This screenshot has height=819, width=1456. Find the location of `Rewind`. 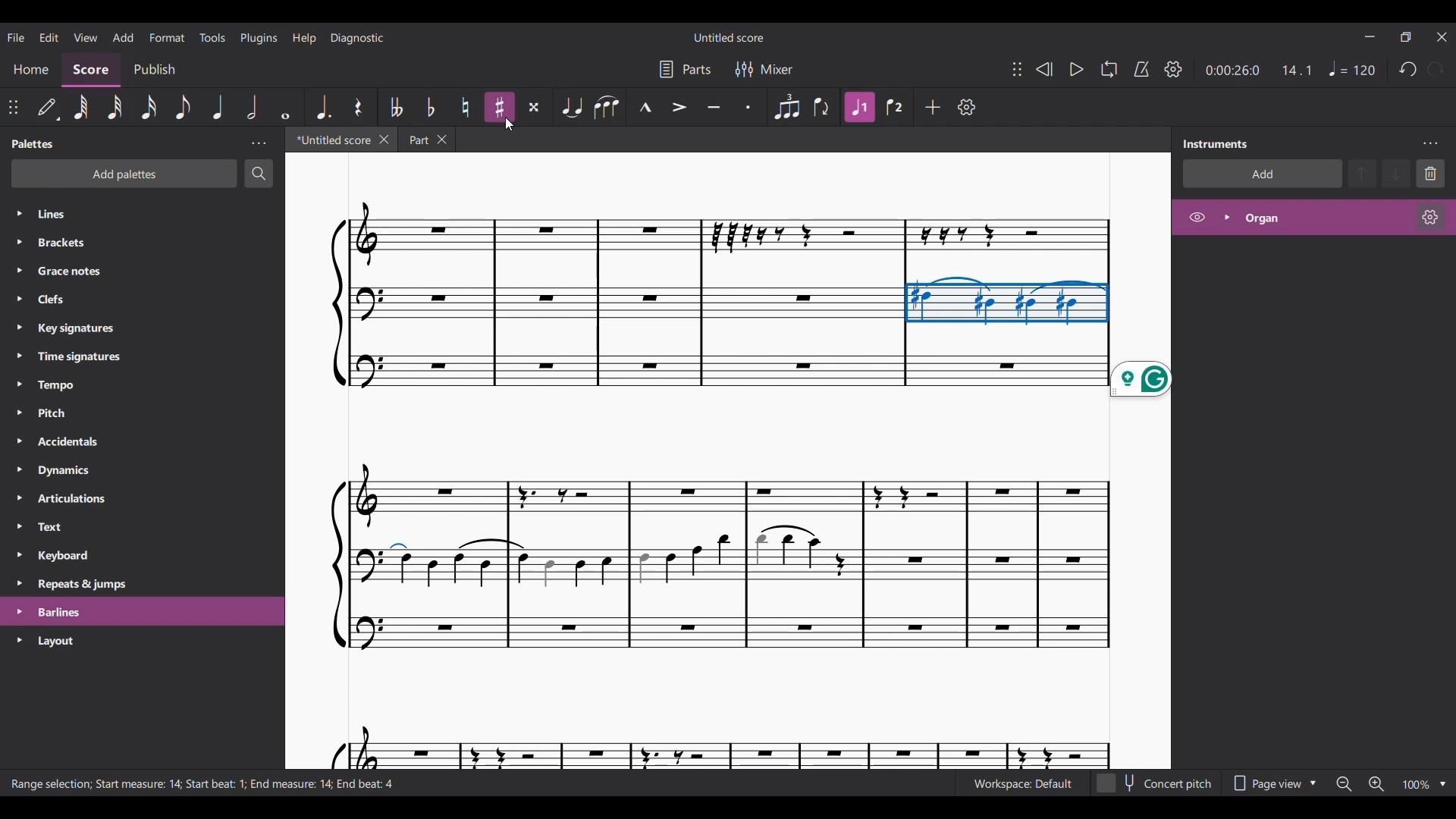

Rewind is located at coordinates (1043, 69).